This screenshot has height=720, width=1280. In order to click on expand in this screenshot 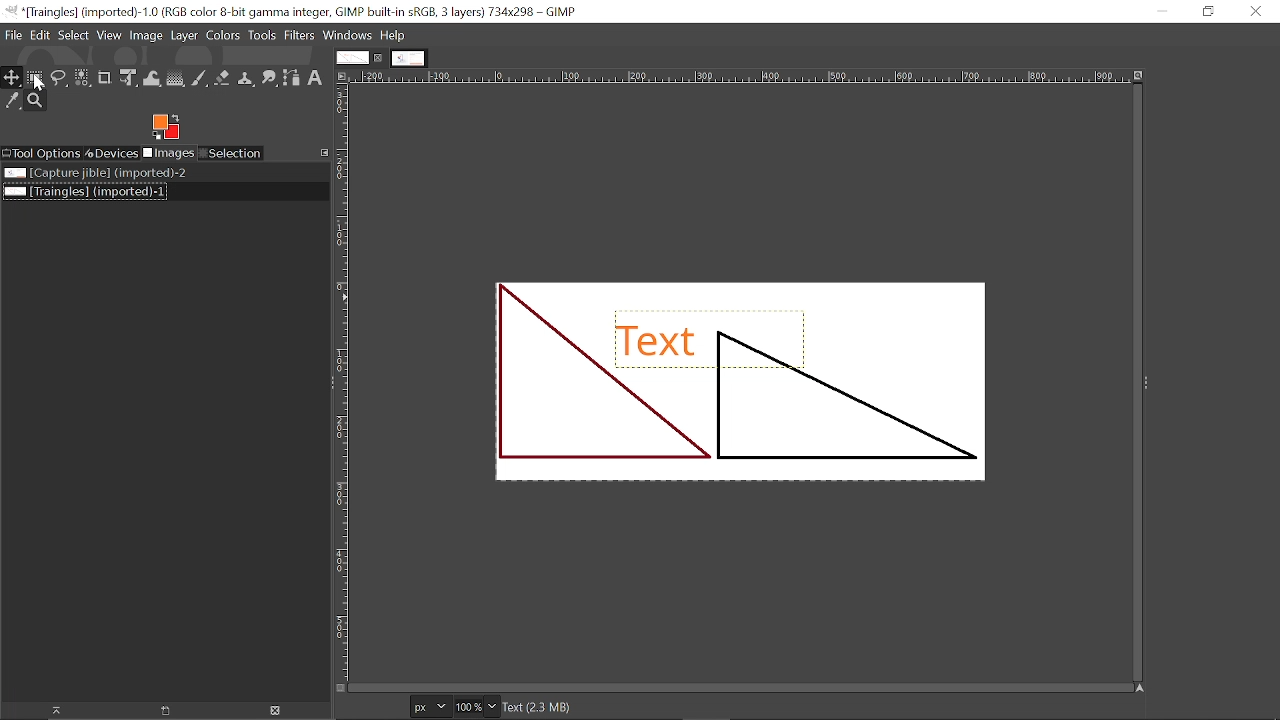, I will do `click(1145, 380)`.